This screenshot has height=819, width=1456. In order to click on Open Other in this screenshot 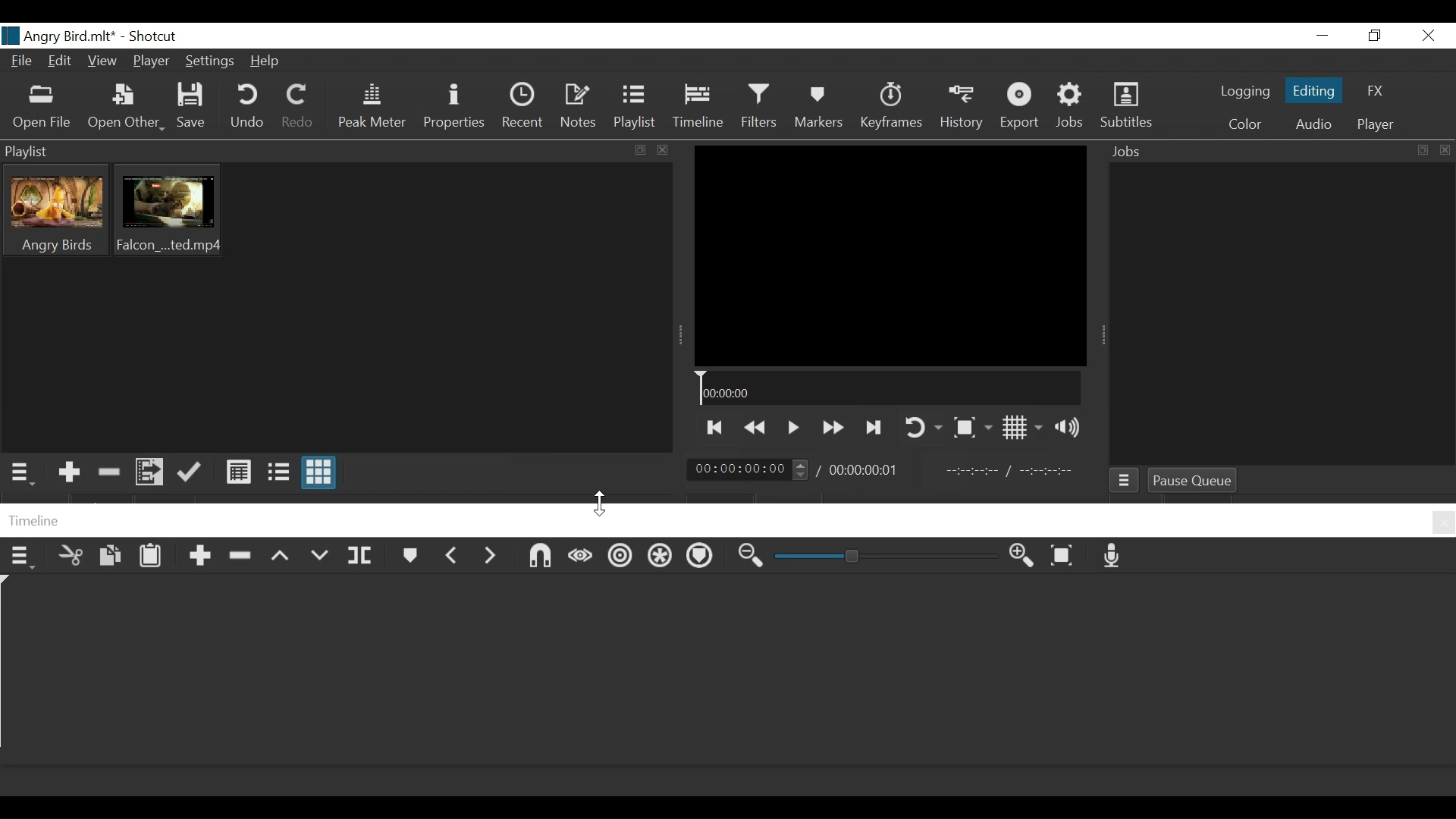, I will do `click(127, 109)`.